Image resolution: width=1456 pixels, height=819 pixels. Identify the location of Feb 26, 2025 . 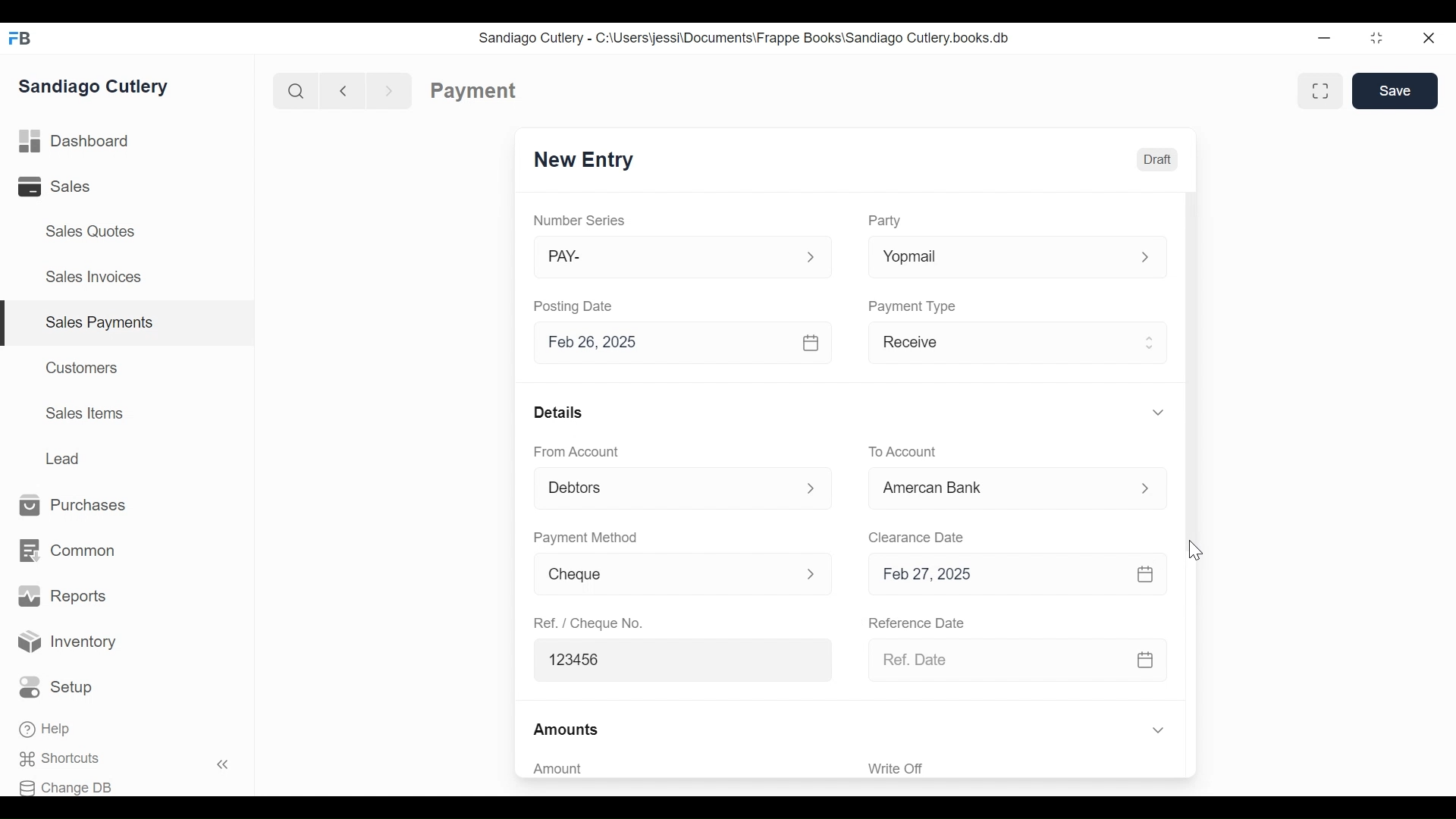
(665, 343).